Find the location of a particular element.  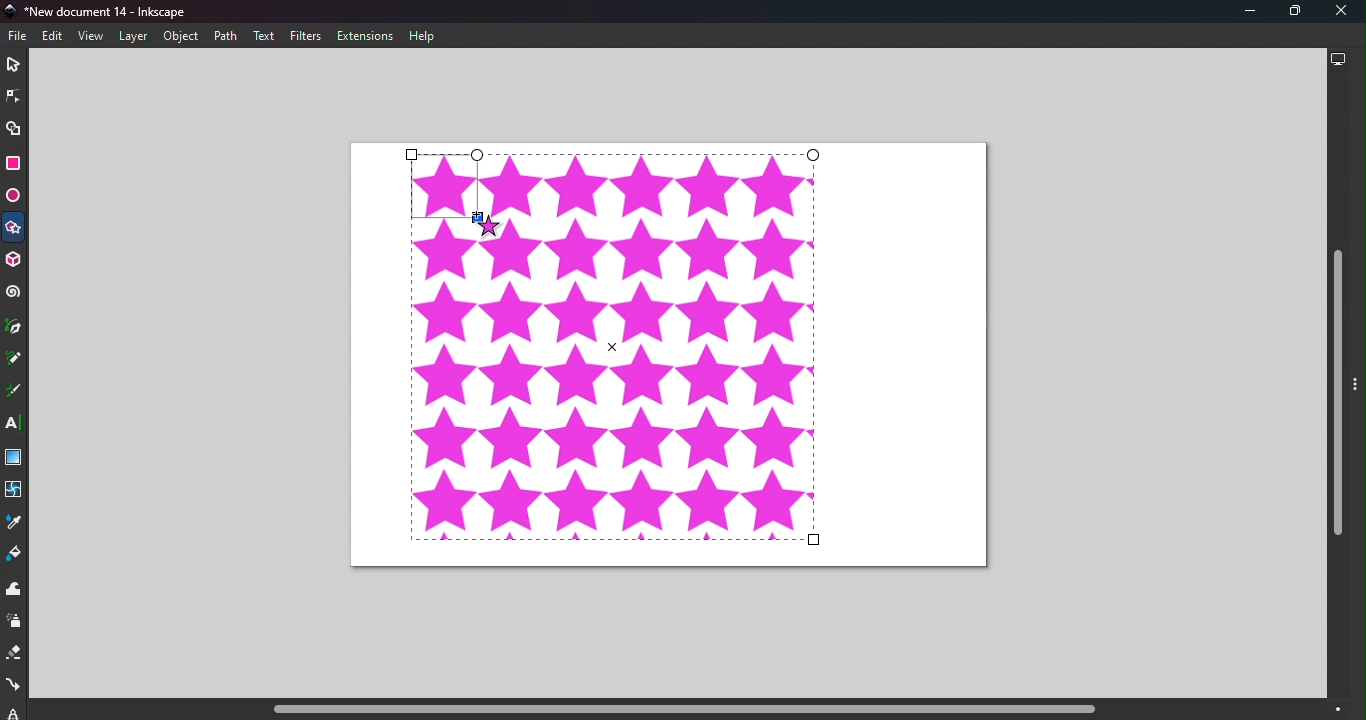

File is located at coordinates (21, 36).